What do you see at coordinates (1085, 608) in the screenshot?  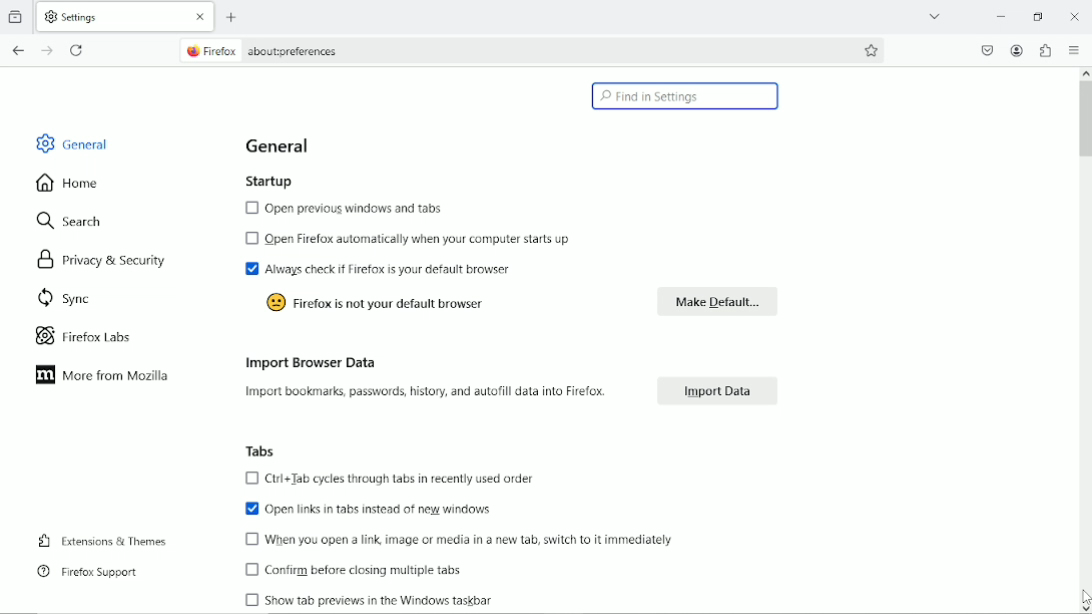 I see `Scroll Down` at bounding box center [1085, 608].